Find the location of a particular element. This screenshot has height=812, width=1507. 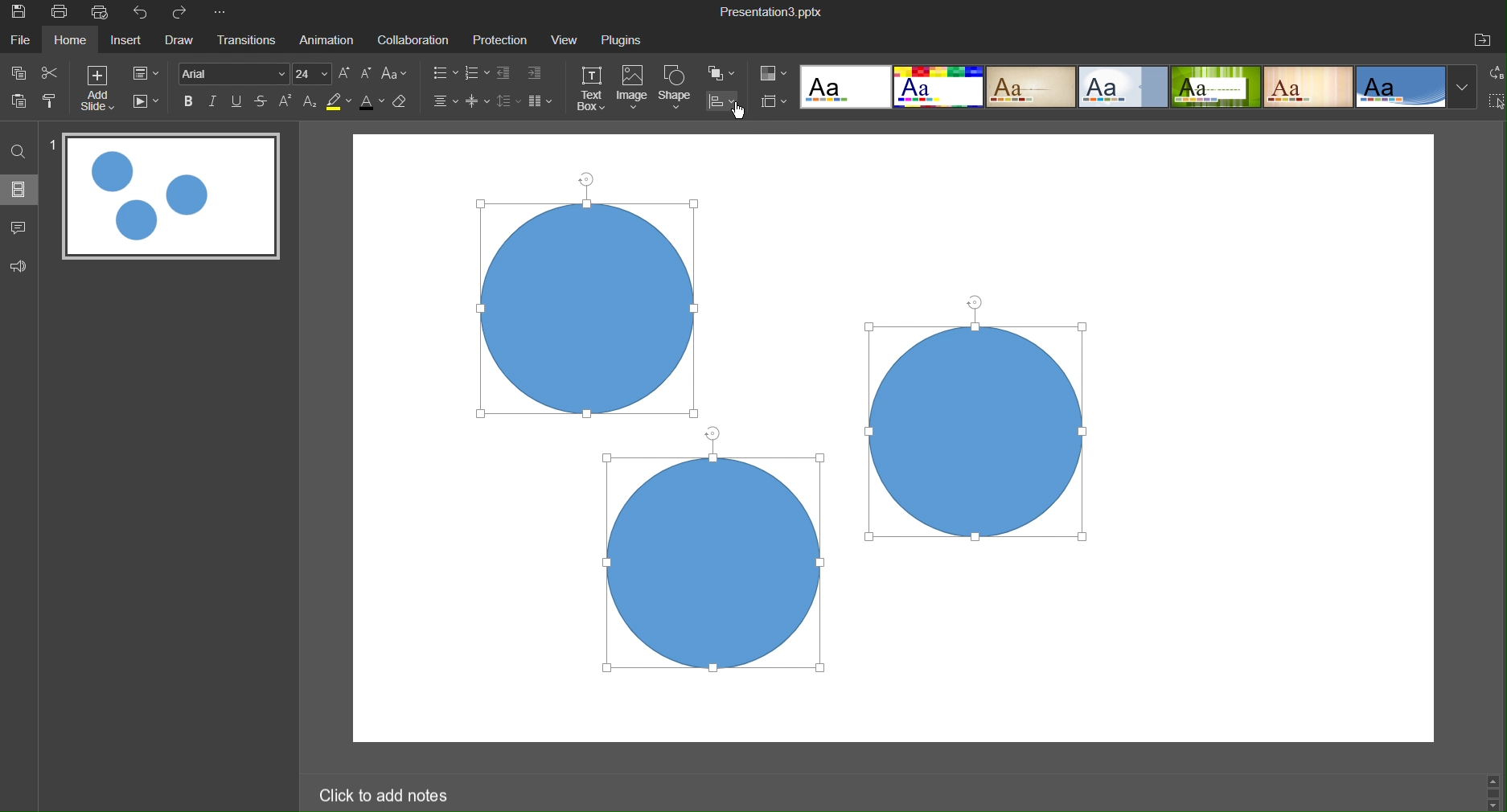

Slide 1 is located at coordinates (171, 199).